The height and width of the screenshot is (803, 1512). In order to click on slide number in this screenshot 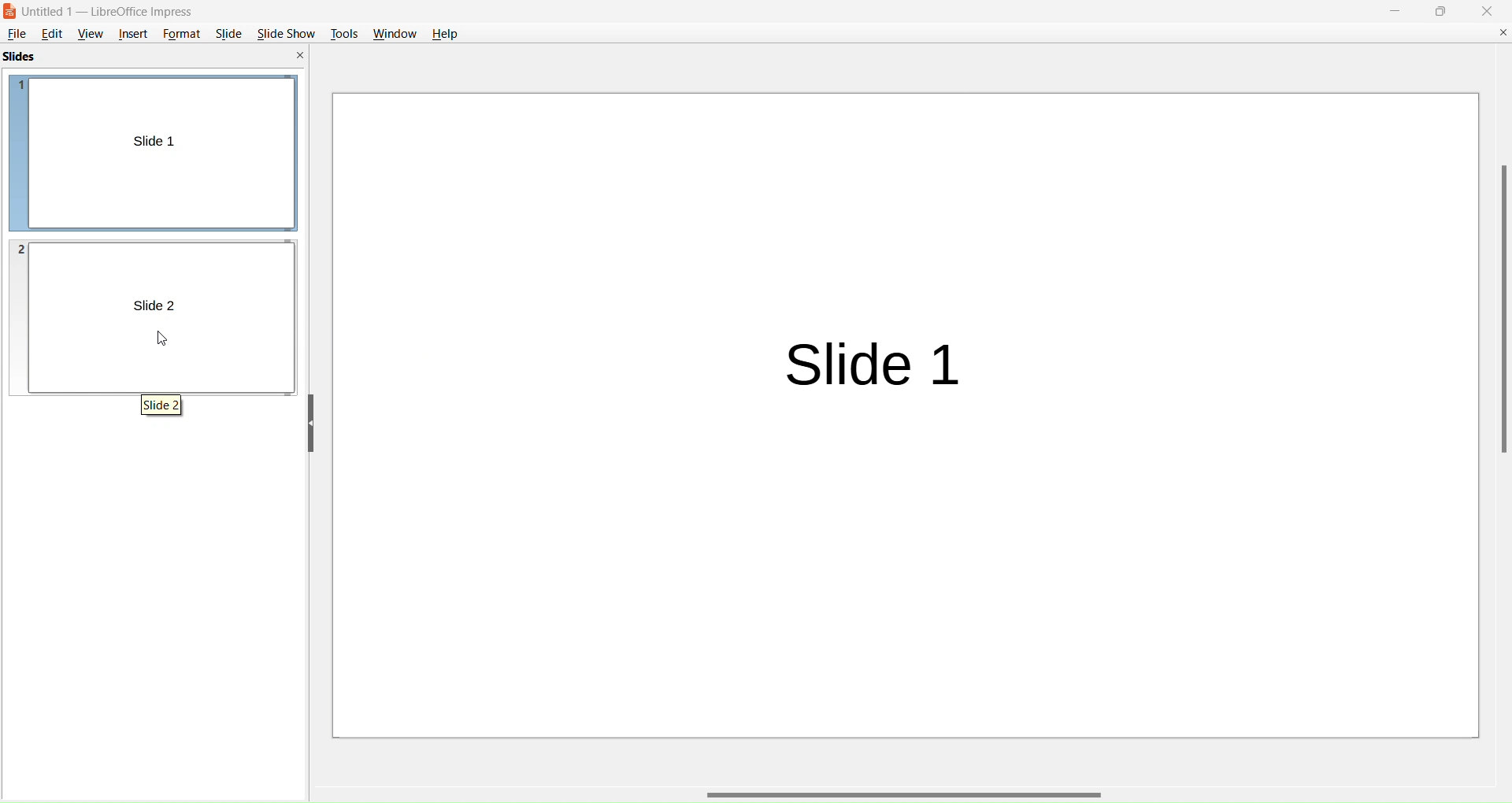, I will do `click(19, 246)`.